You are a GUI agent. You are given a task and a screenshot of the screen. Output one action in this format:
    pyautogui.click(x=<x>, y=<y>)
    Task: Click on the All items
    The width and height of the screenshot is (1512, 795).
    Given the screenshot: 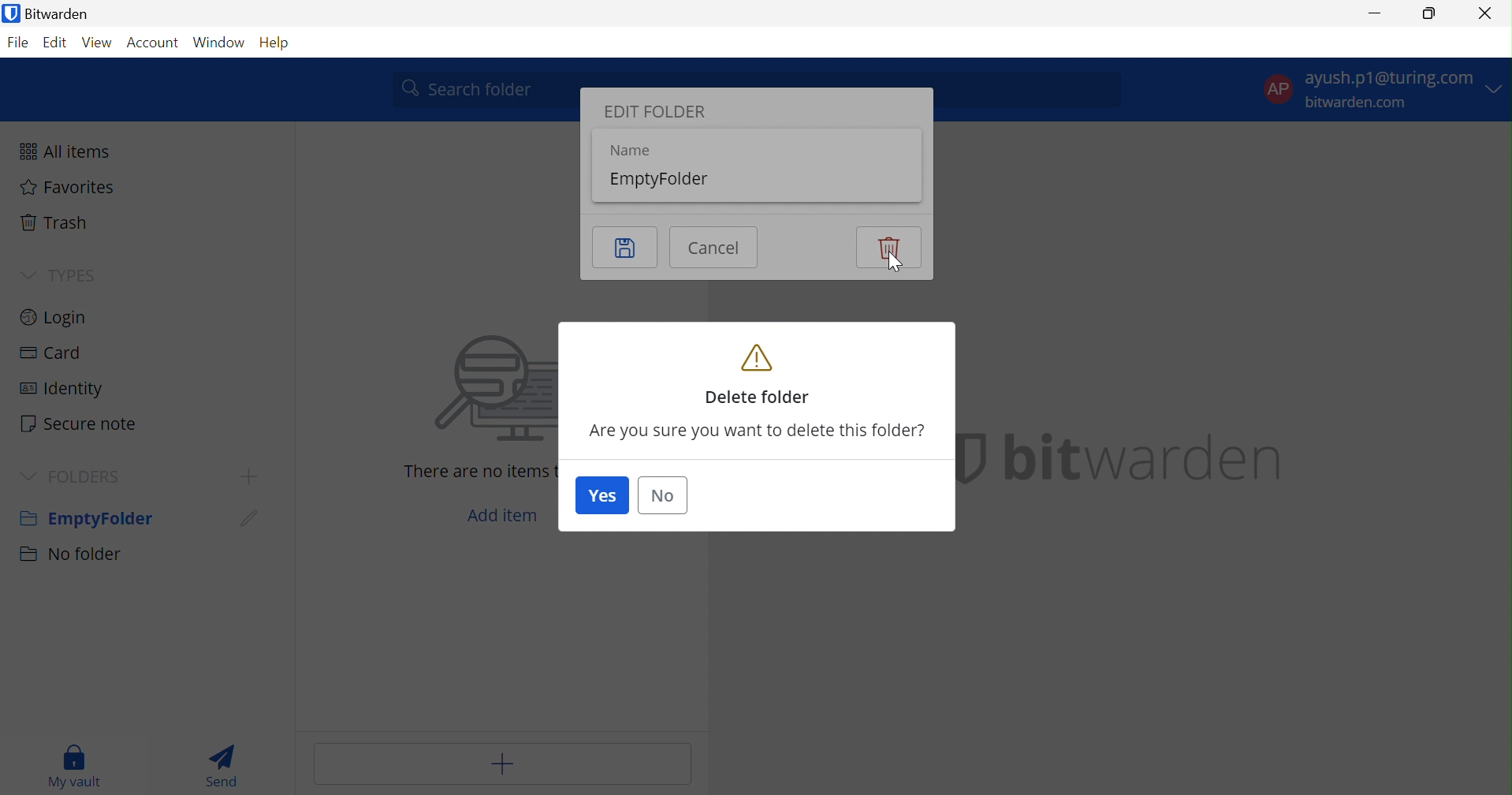 What is the action you would take?
    pyautogui.click(x=69, y=151)
    